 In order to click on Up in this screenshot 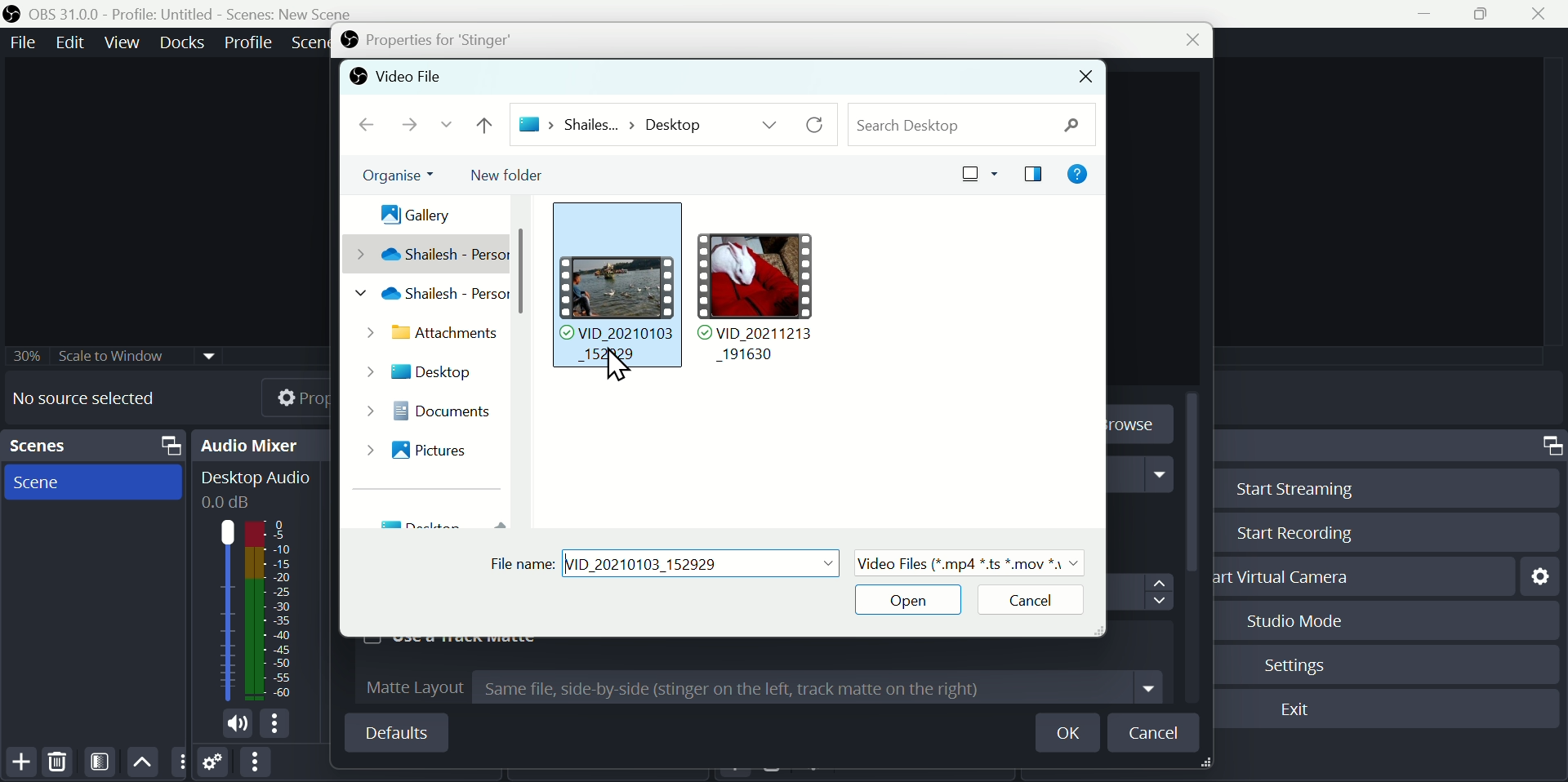, I will do `click(143, 761)`.